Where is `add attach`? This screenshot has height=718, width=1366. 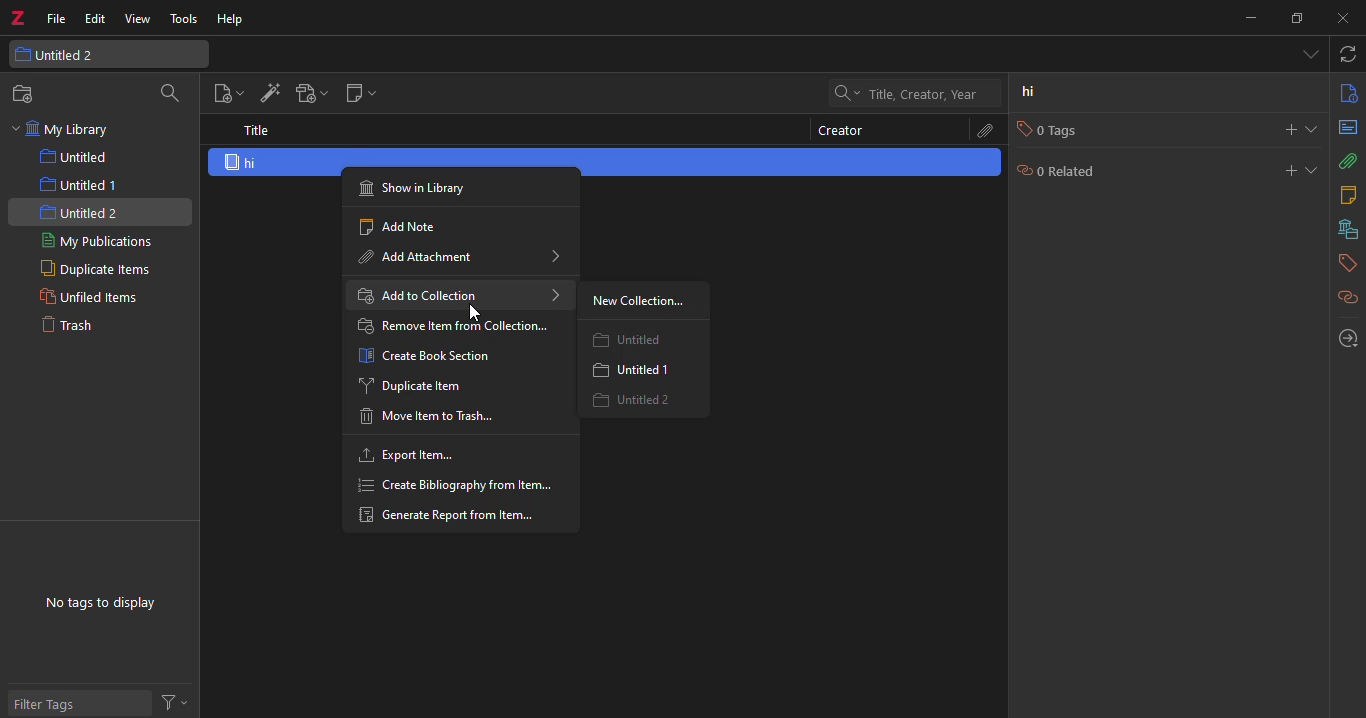
add attach is located at coordinates (309, 95).